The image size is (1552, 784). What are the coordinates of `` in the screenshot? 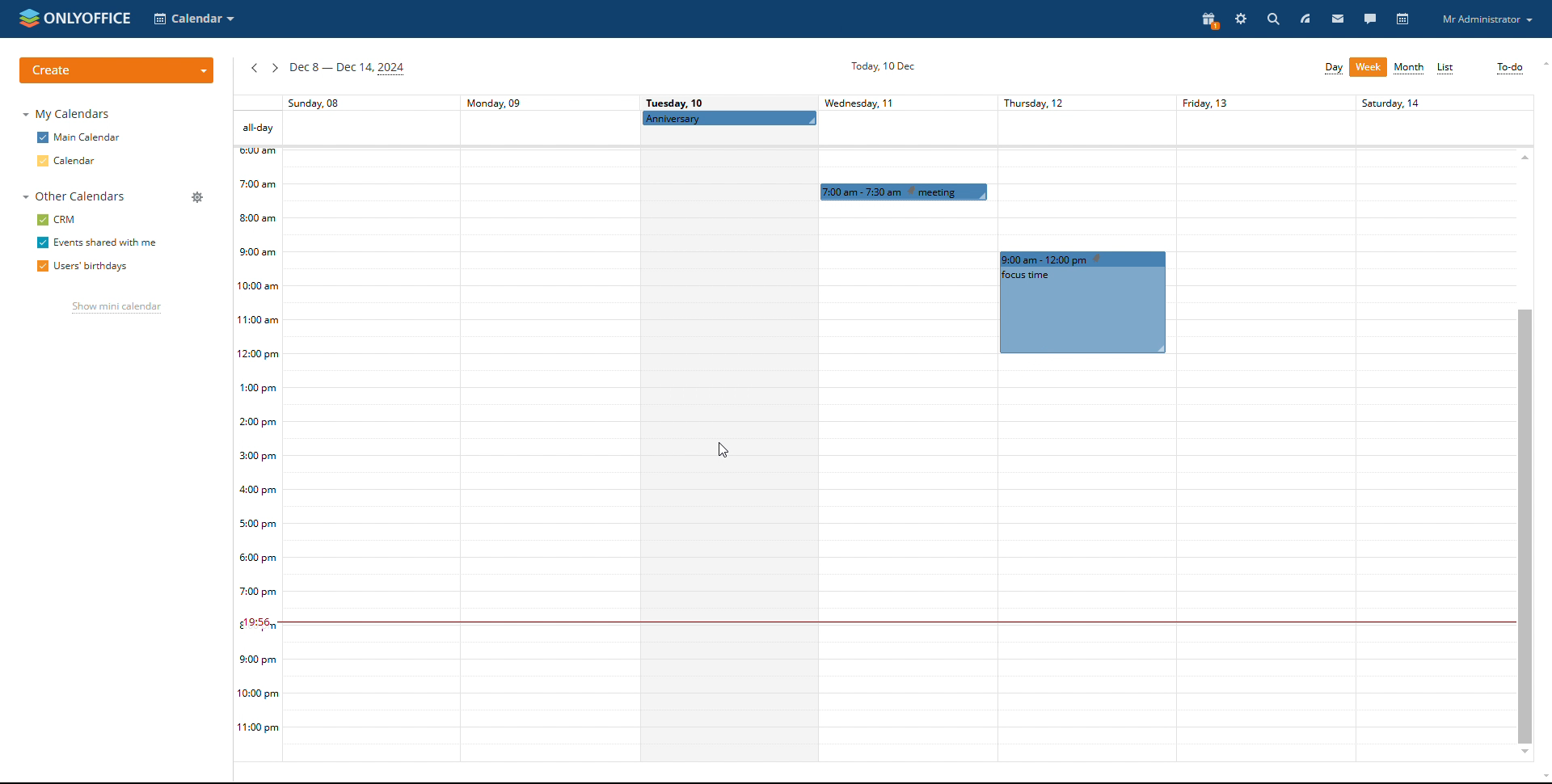 It's located at (1434, 425).